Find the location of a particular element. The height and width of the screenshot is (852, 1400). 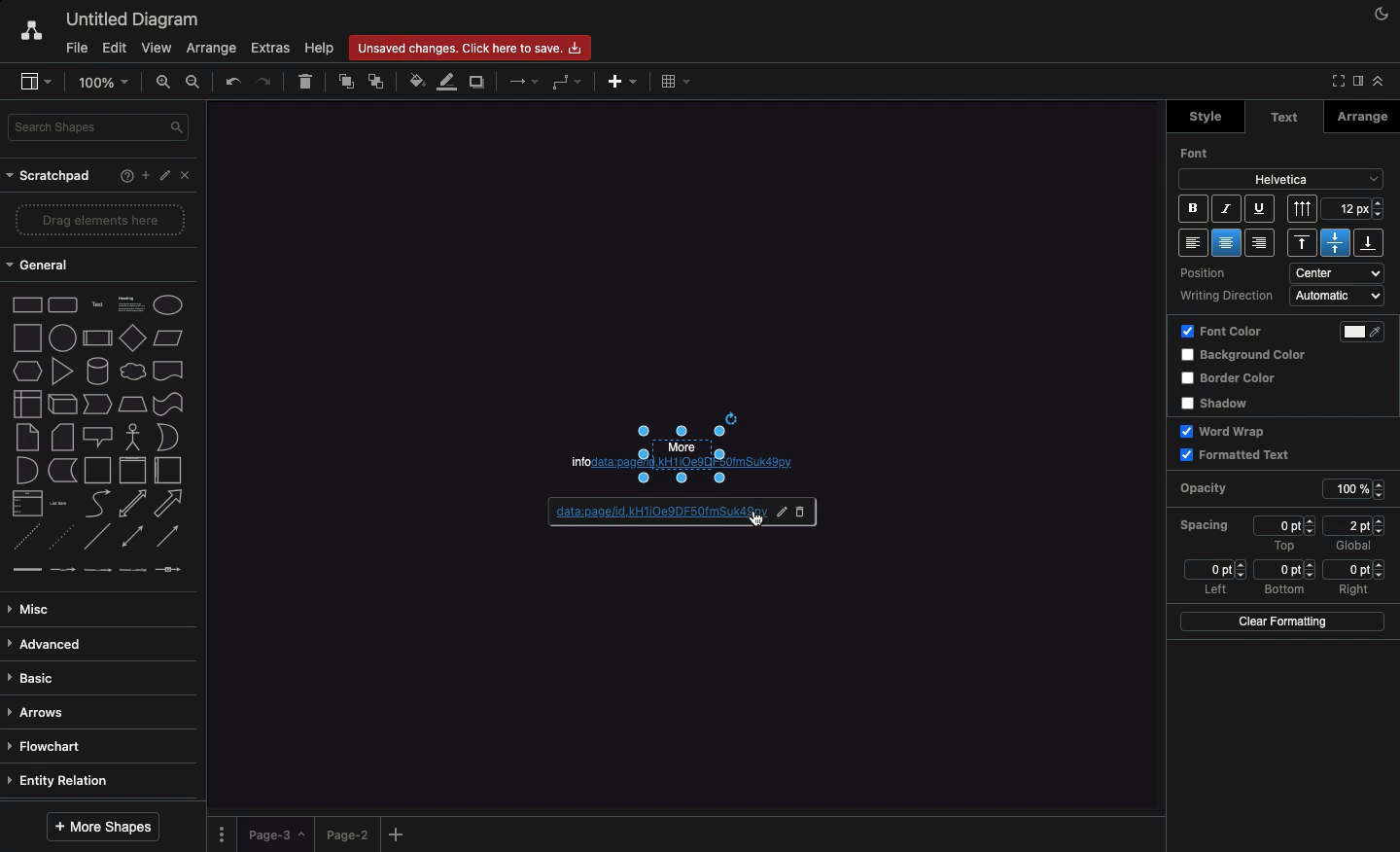

Fill  is located at coordinates (415, 79).